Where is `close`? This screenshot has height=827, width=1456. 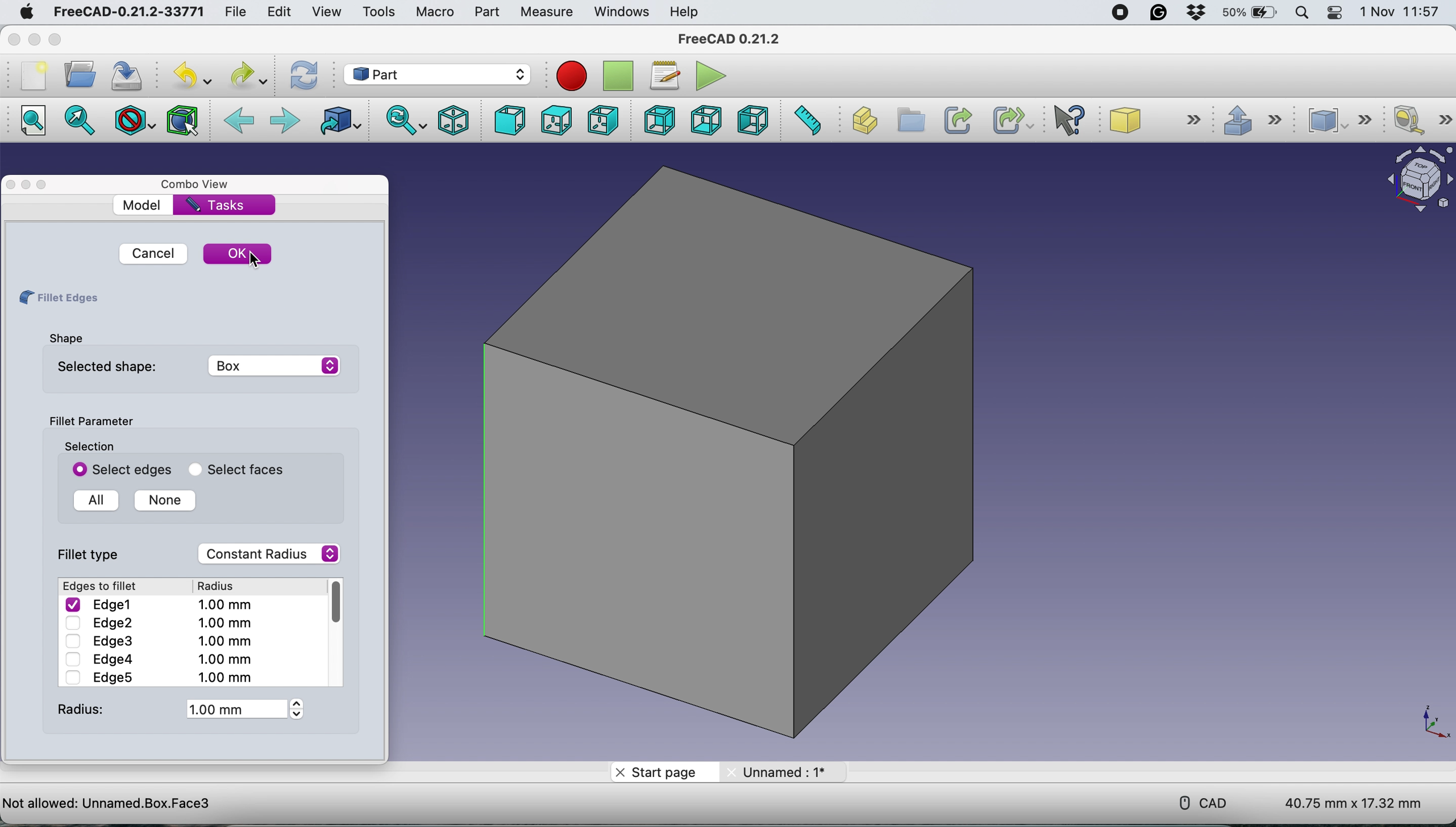
close is located at coordinates (14, 40).